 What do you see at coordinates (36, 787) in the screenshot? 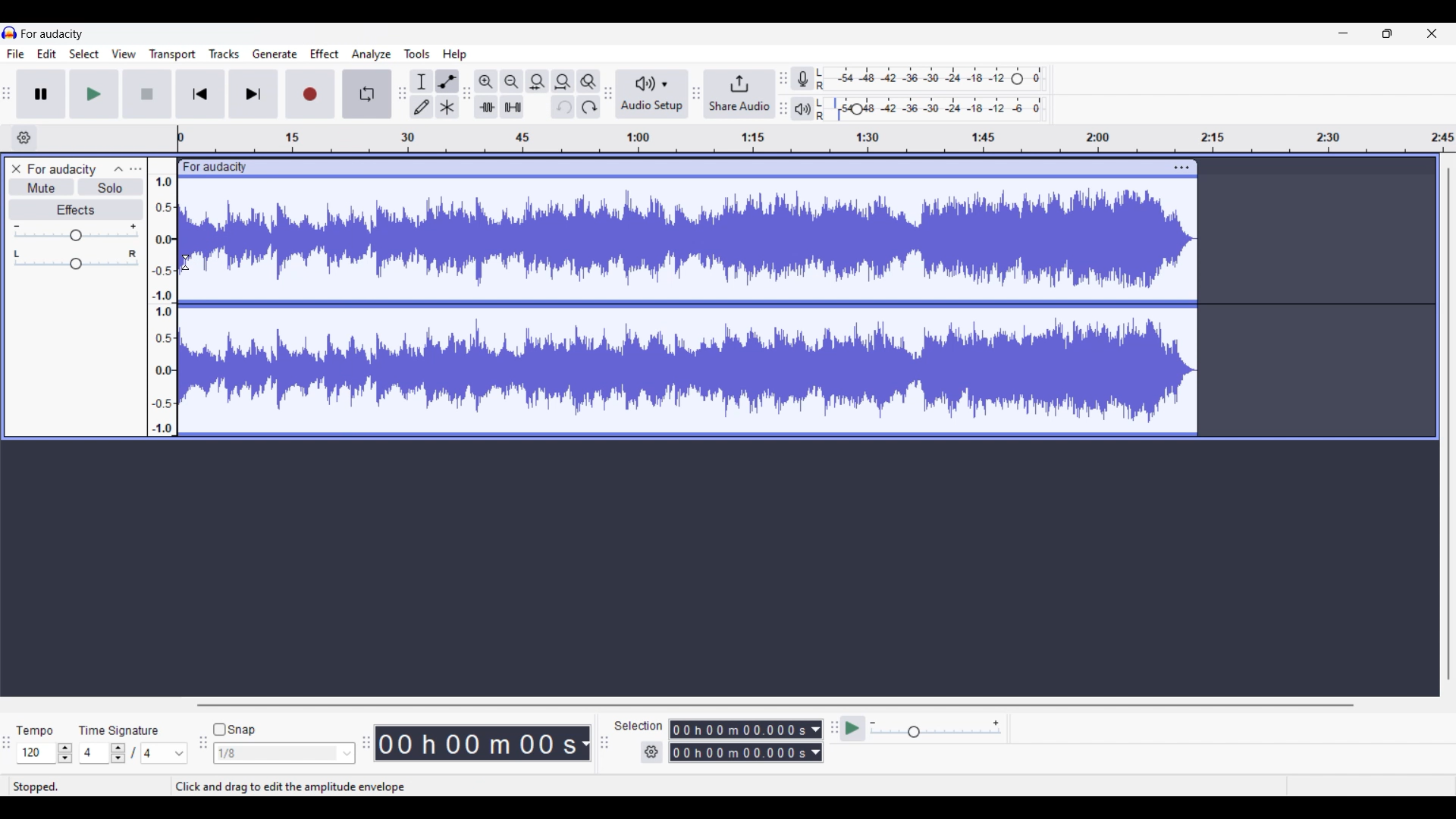
I see `stopped` at bounding box center [36, 787].